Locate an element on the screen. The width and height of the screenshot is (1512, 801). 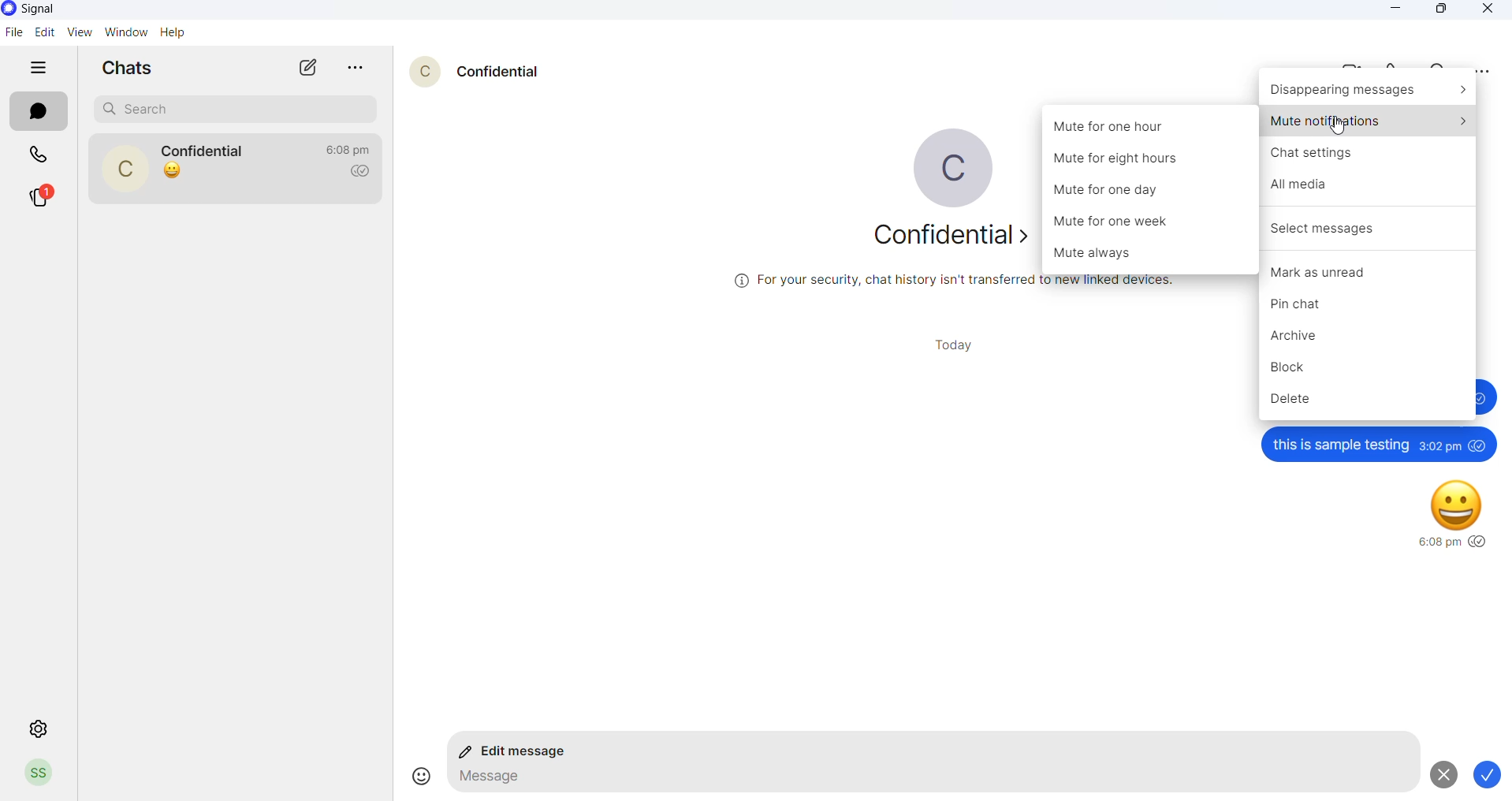
video call is located at coordinates (1343, 64).